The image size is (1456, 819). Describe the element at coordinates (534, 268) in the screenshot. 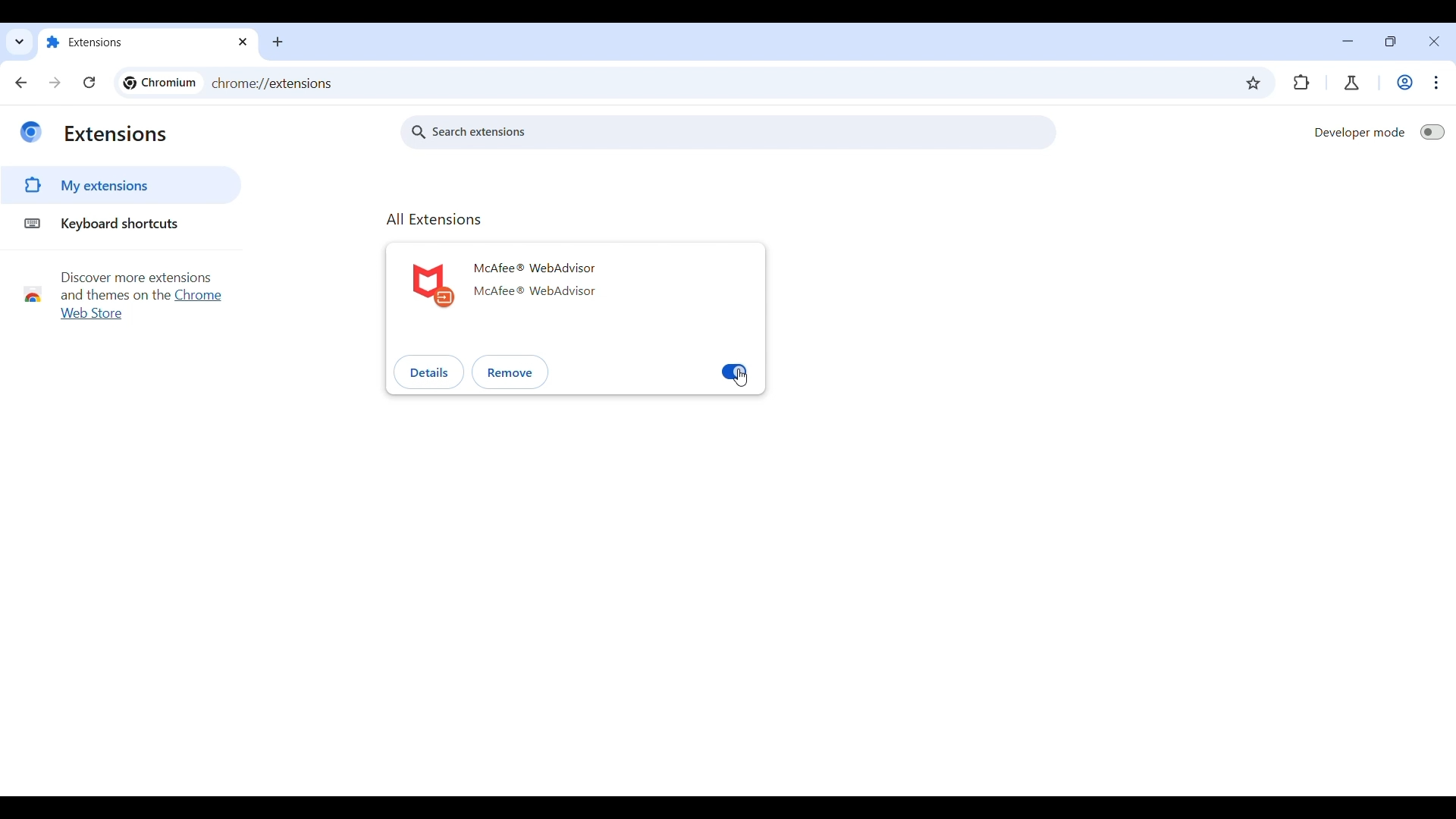

I see `McAfee ® WebAdvisor` at that location.